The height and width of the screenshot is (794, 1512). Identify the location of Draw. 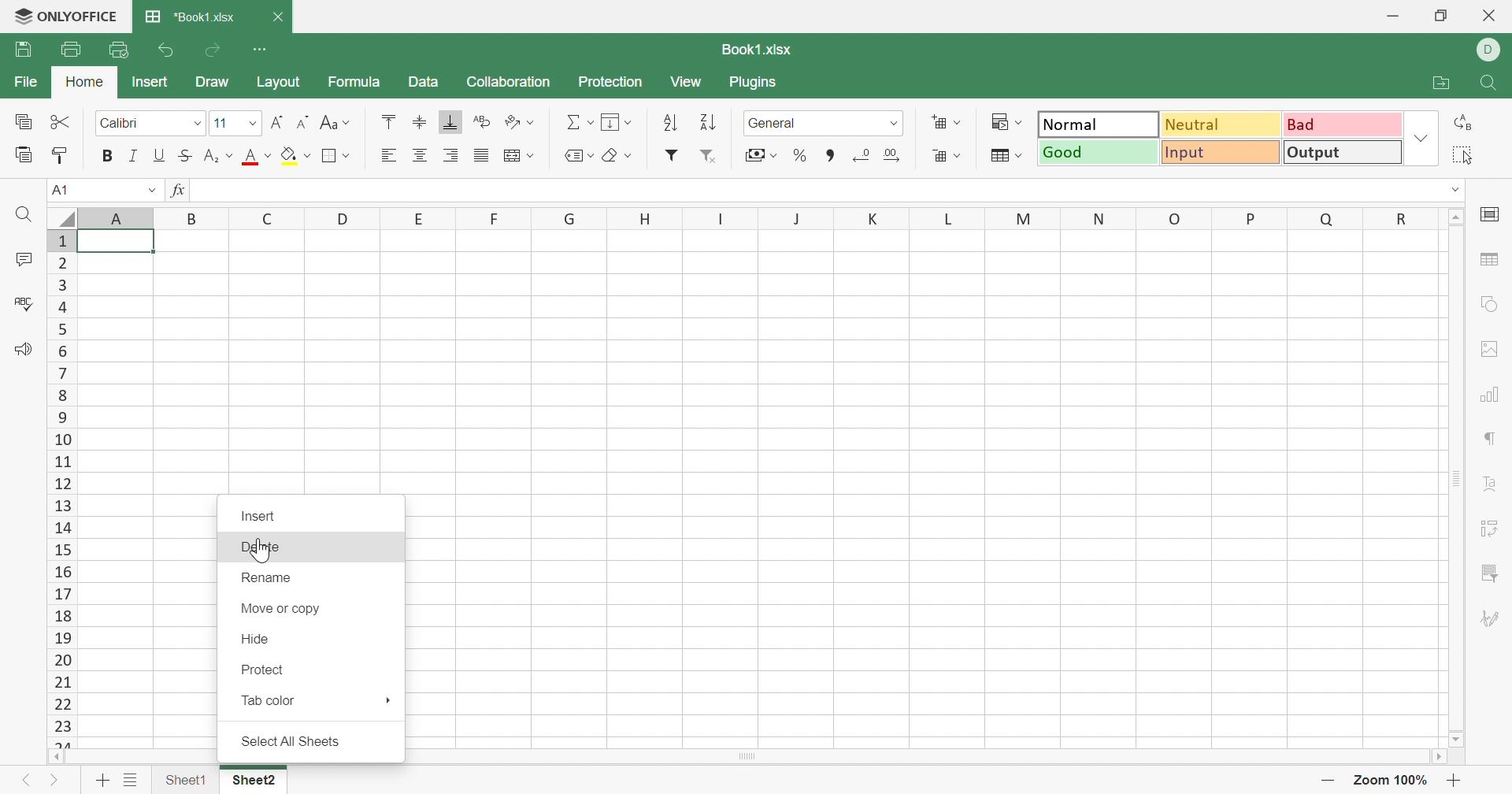
(213, 81).